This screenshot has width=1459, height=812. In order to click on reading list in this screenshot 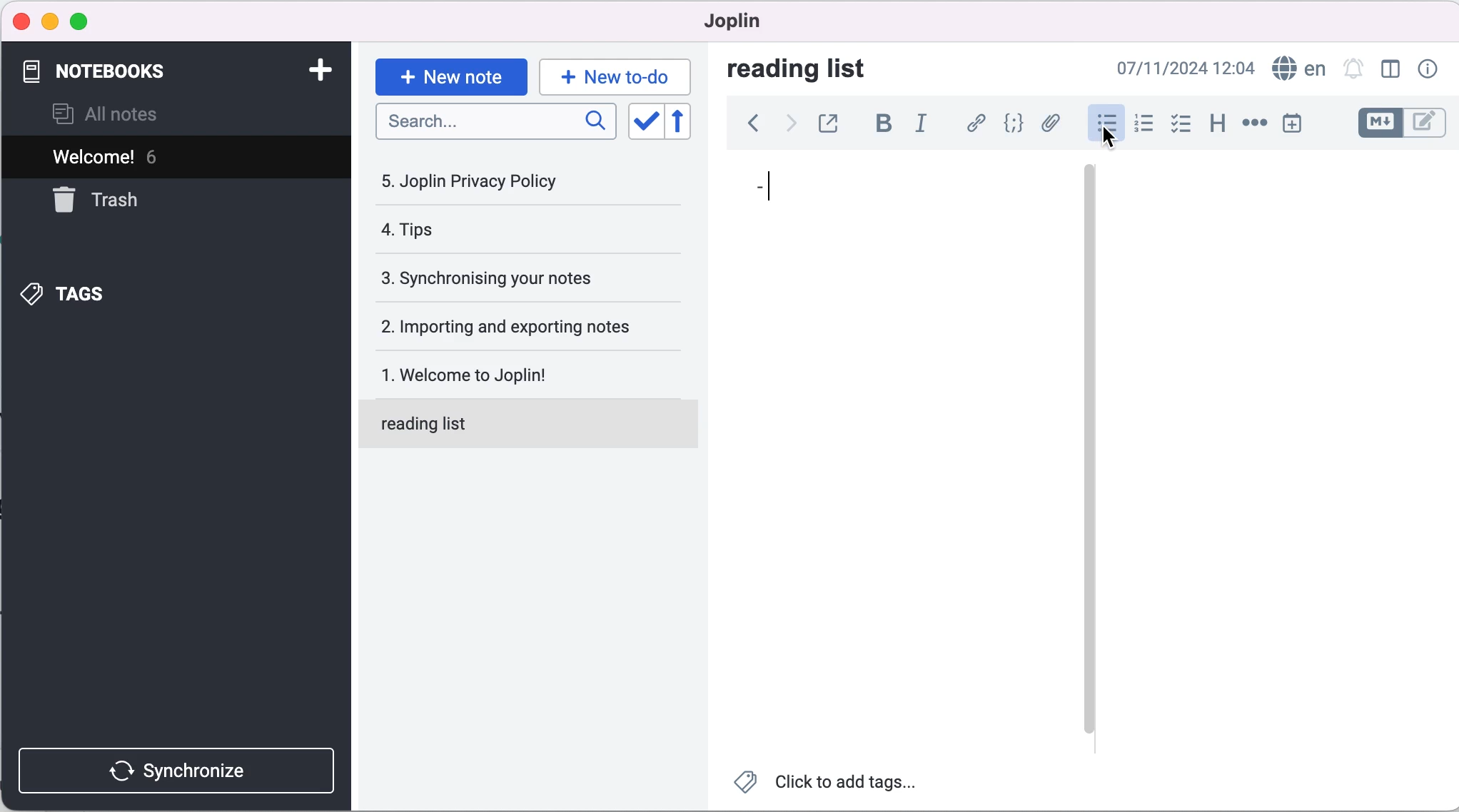, I will do `click(814, 70)`.